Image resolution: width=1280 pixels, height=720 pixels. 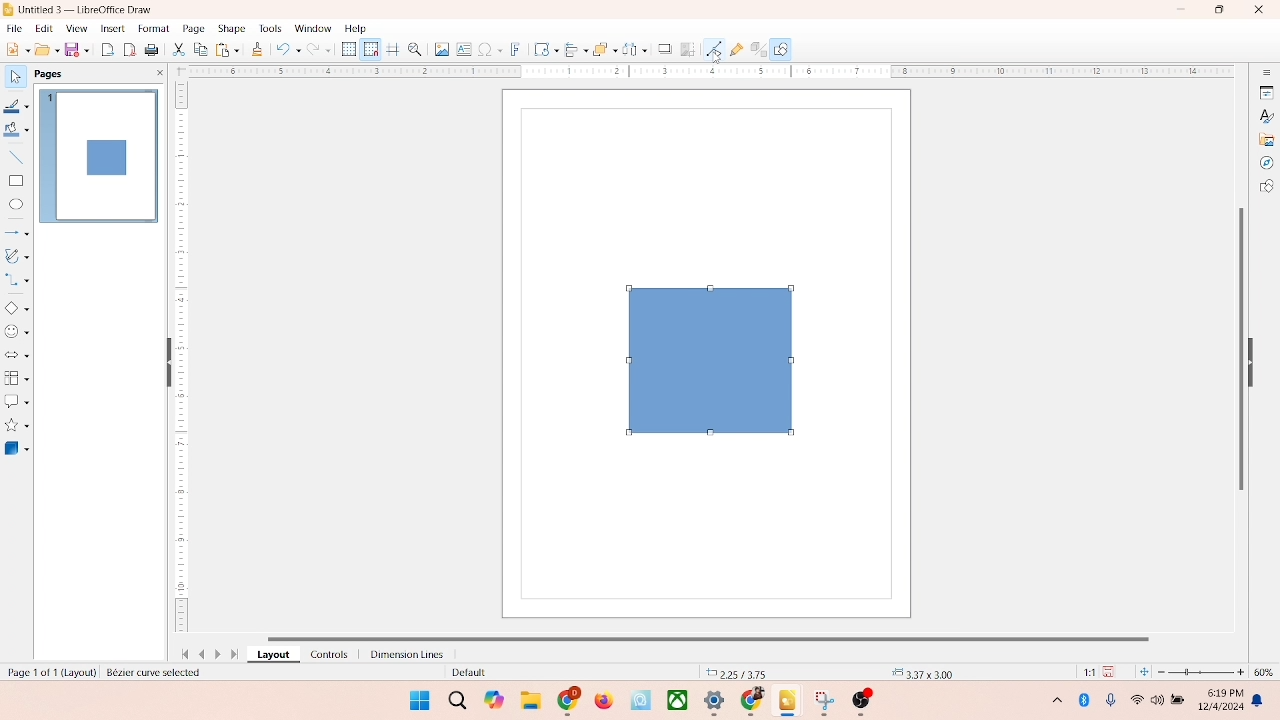 I want to click on page 1, so click(x=99, y=155).